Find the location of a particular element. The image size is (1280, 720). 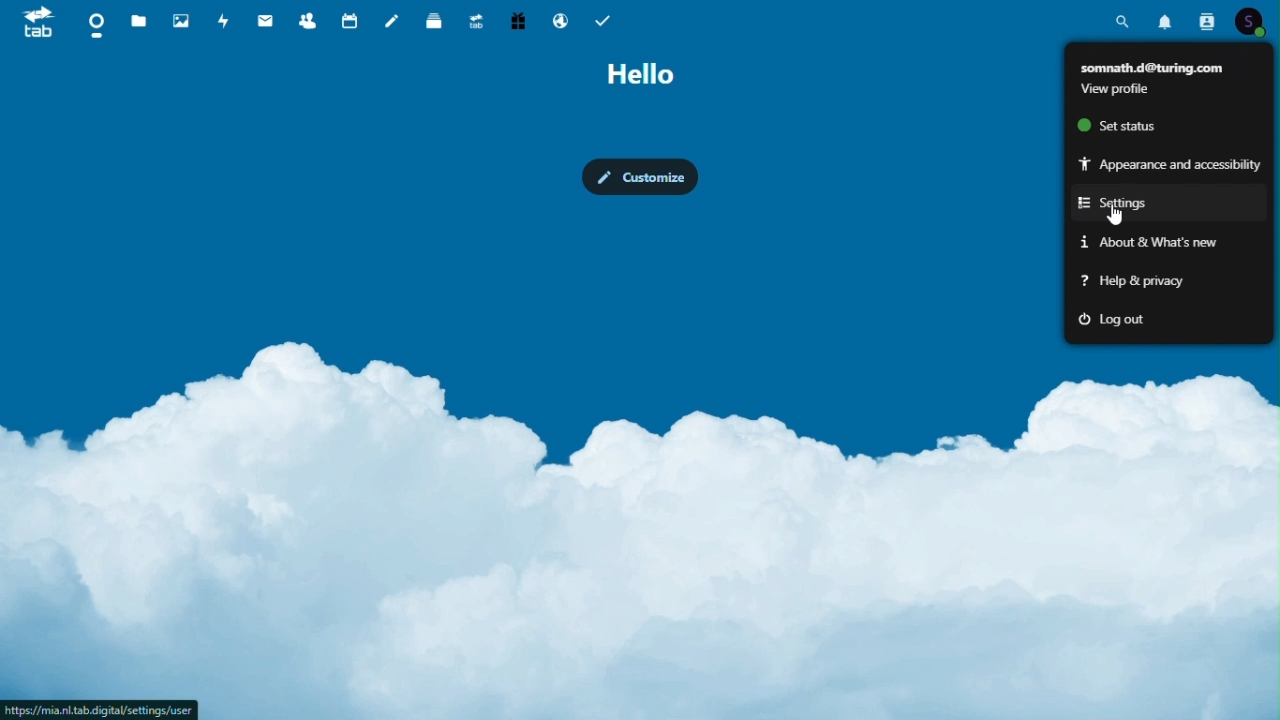

url is located at coordinates (100, 710).